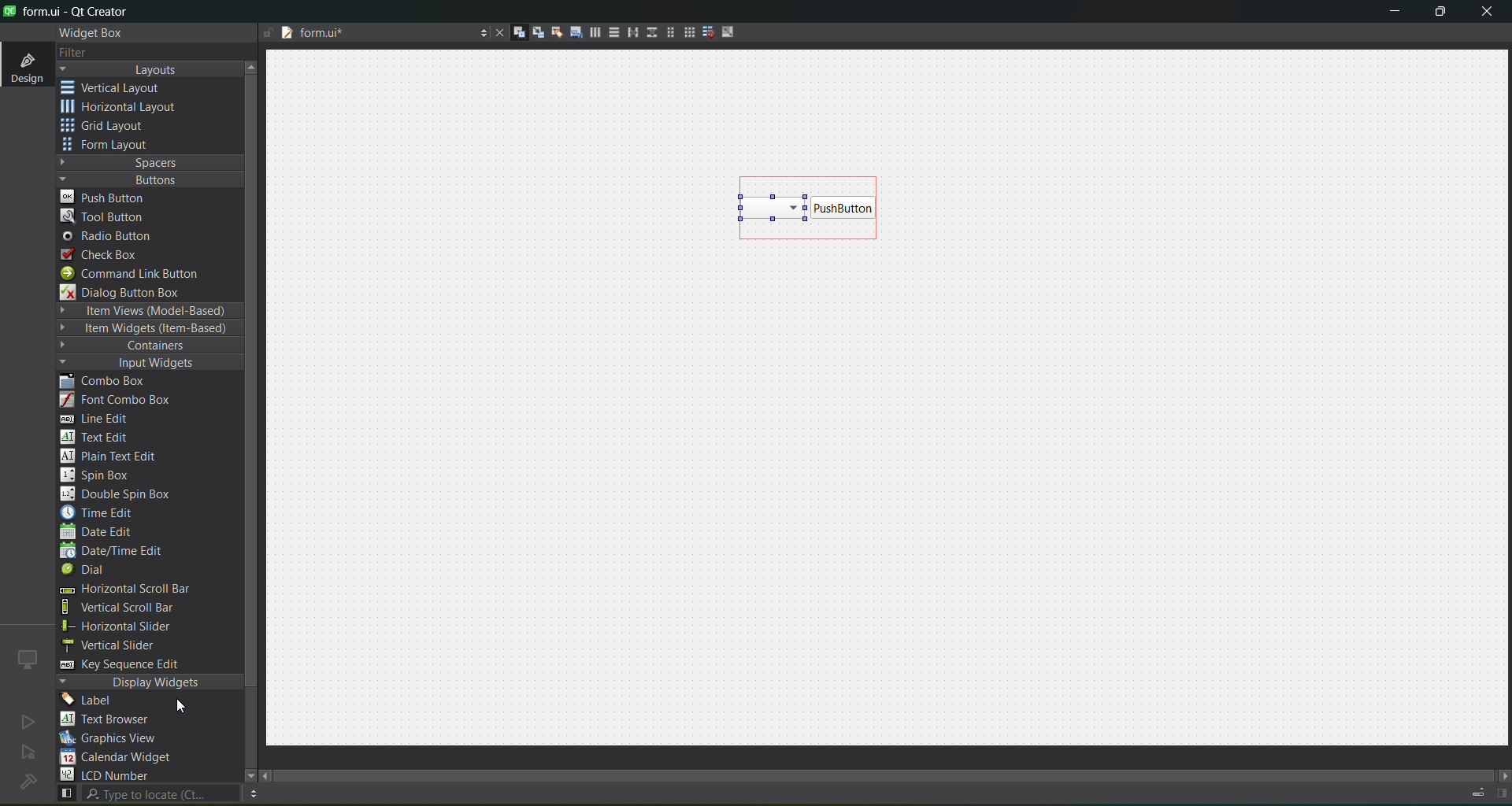  Describe the element at coordinates (114, 382) in the screenshot. I see `combo box` at that location.